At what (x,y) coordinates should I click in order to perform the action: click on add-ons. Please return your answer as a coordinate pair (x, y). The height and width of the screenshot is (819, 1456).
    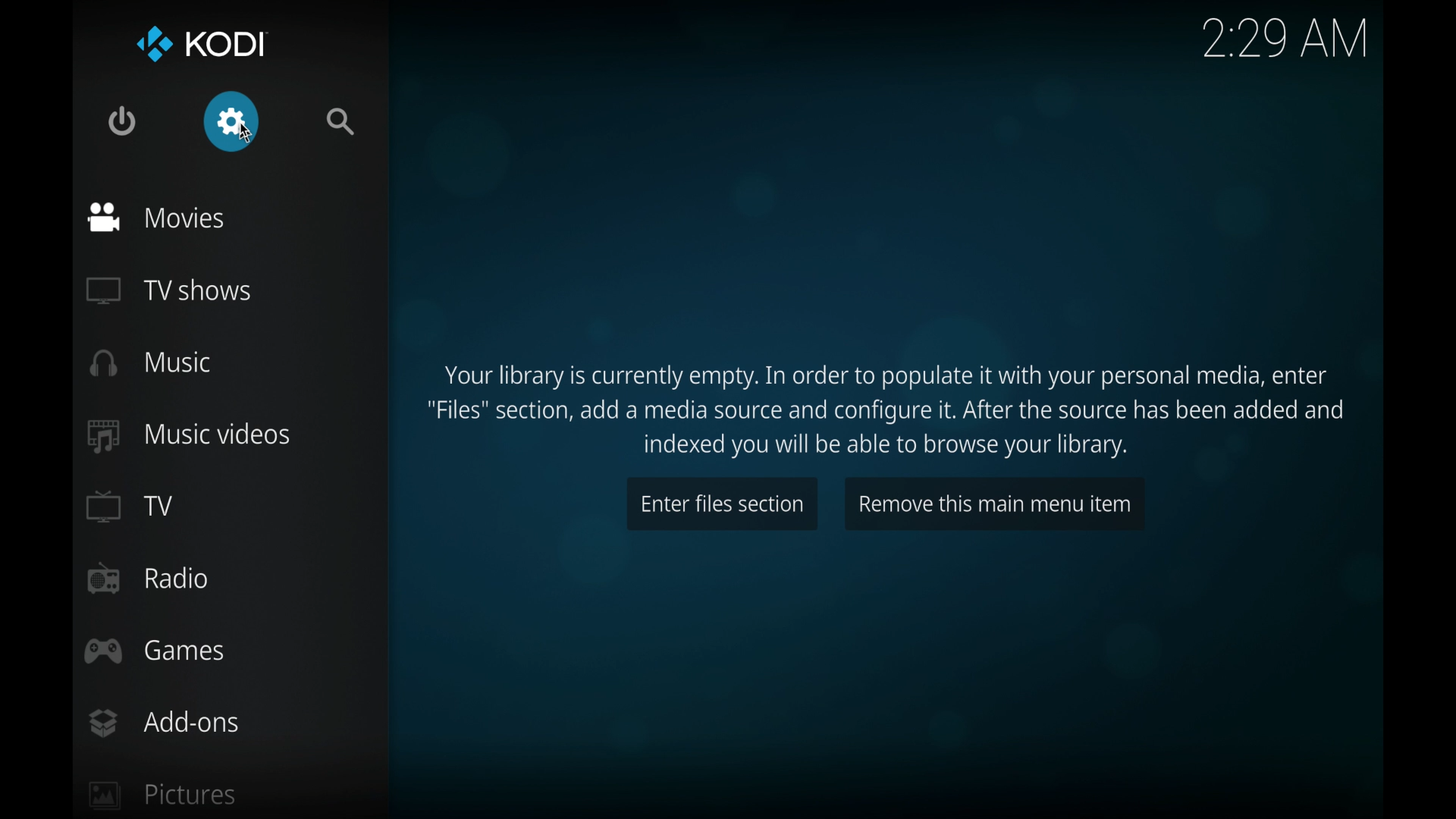
    Looking at the image, I should click on (164, 723).